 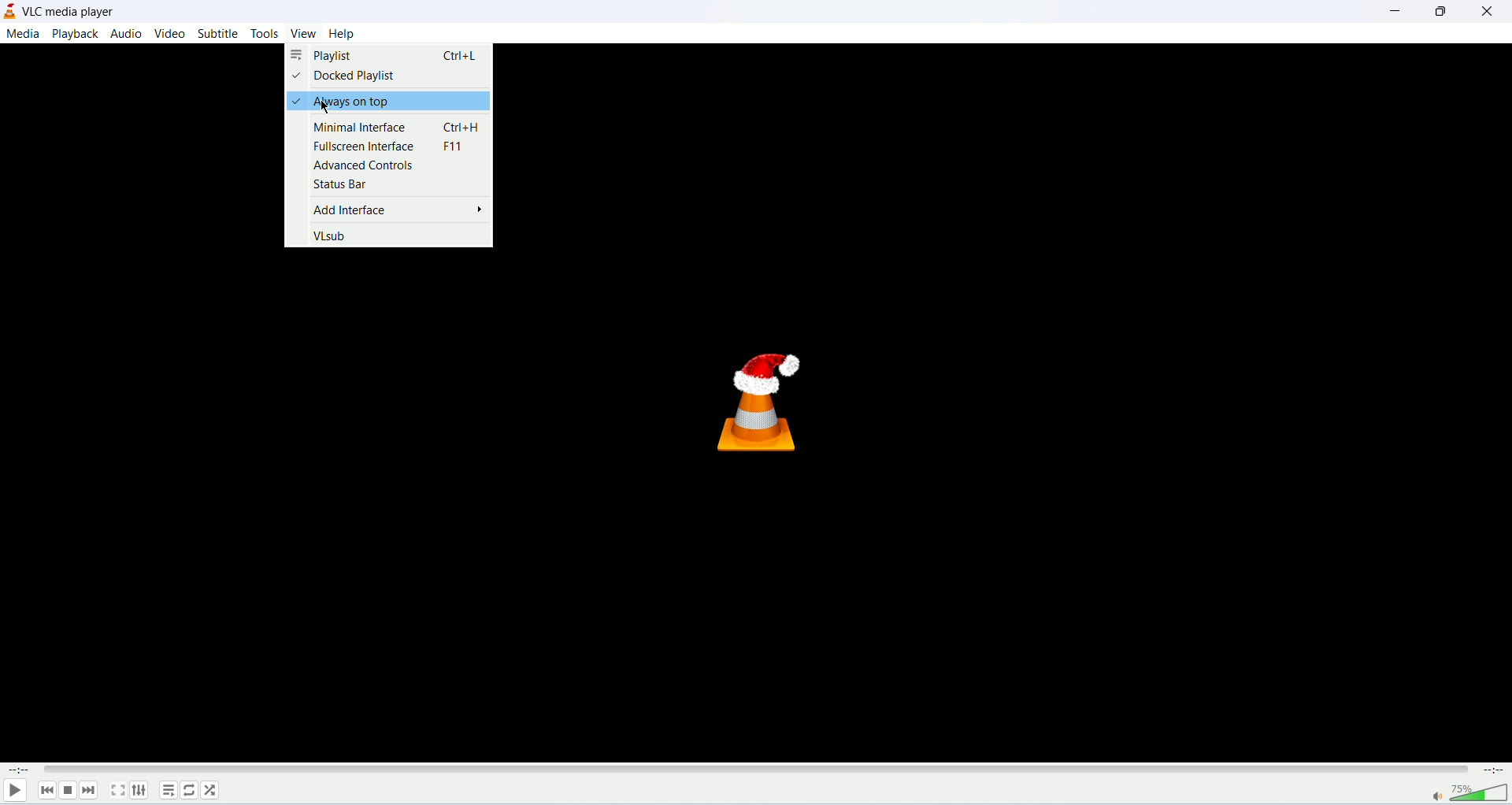 What do you see at coordinates (389, 102) in the screenshot?
I see `always on top` at bounding box center [389, 102].